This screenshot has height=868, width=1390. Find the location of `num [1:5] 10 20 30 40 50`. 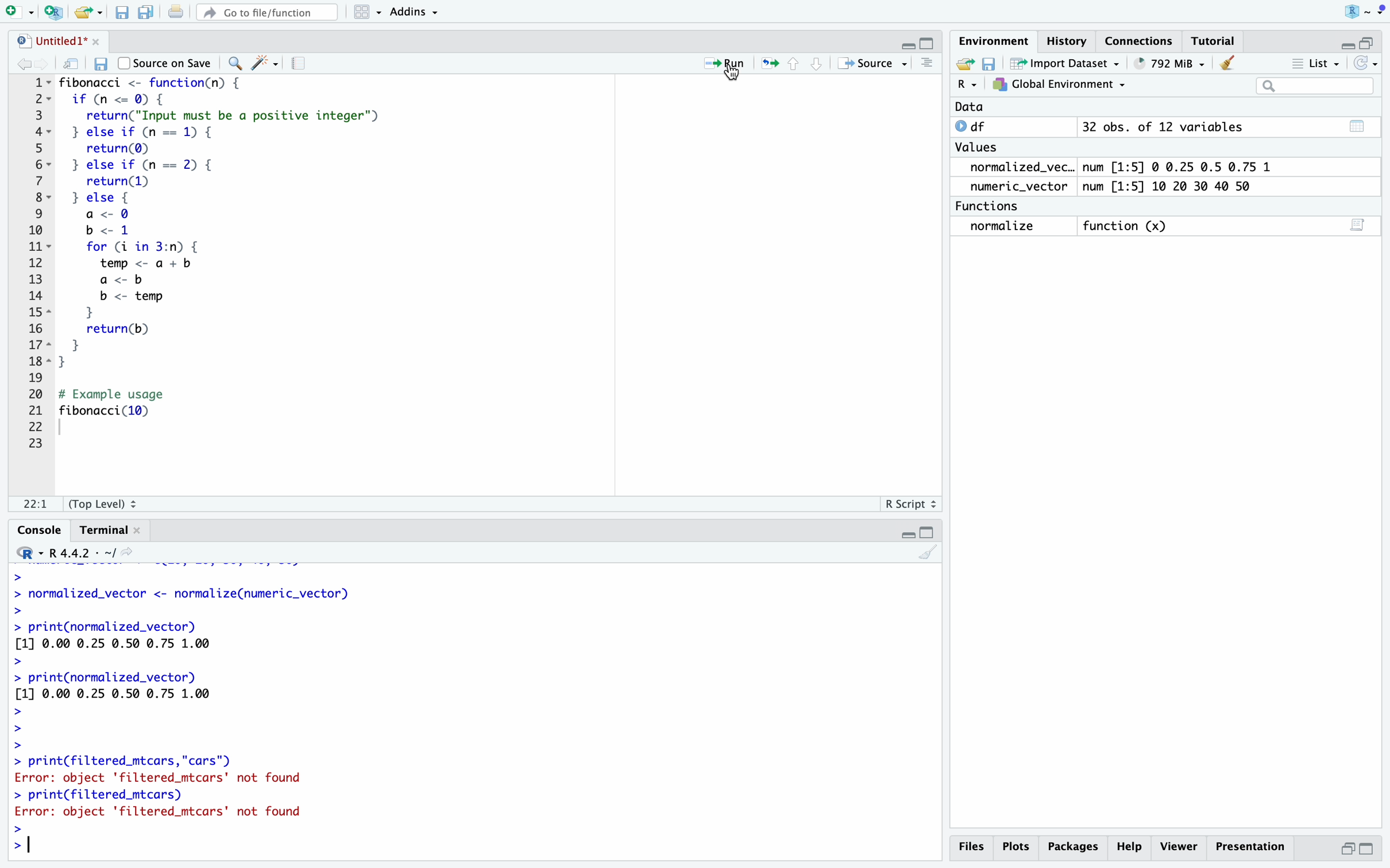

num [1:5] 10 20 30 40 50 is located at coordinates (1175, 186).